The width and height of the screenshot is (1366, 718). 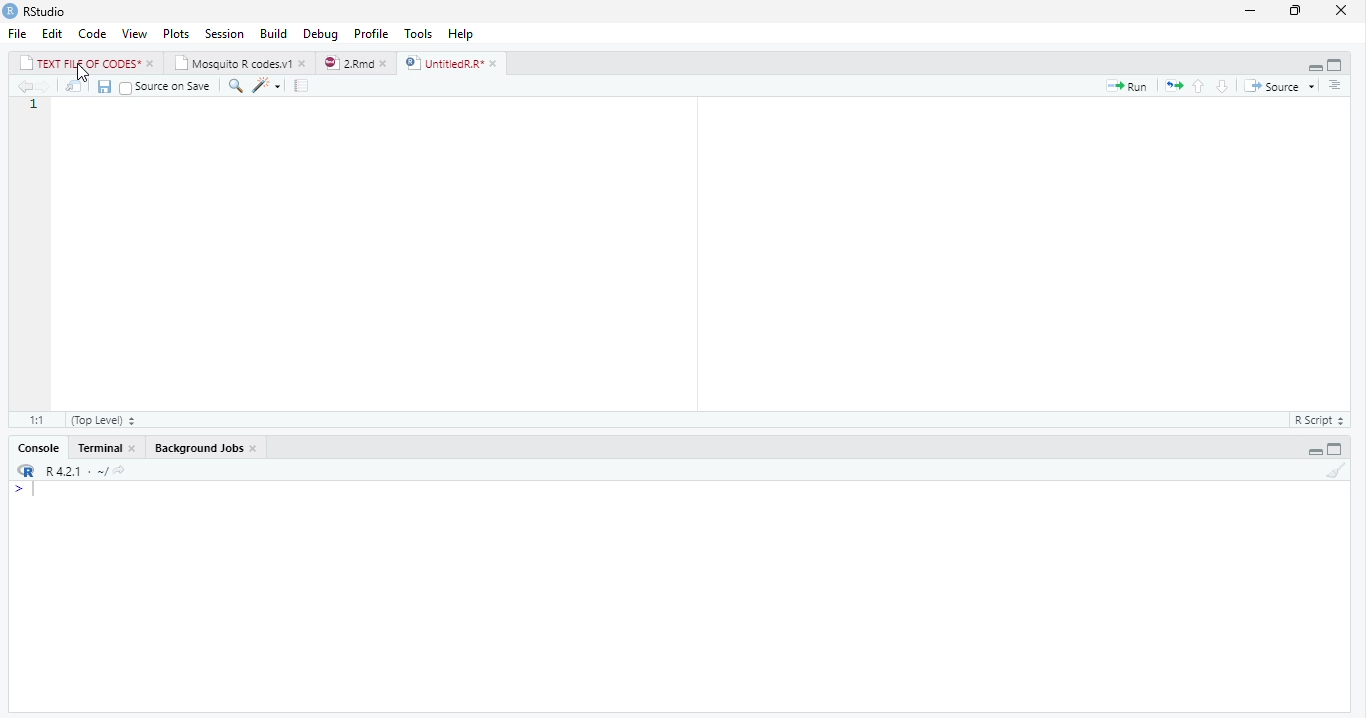 I want to click on close, so click(x=304, y=64).